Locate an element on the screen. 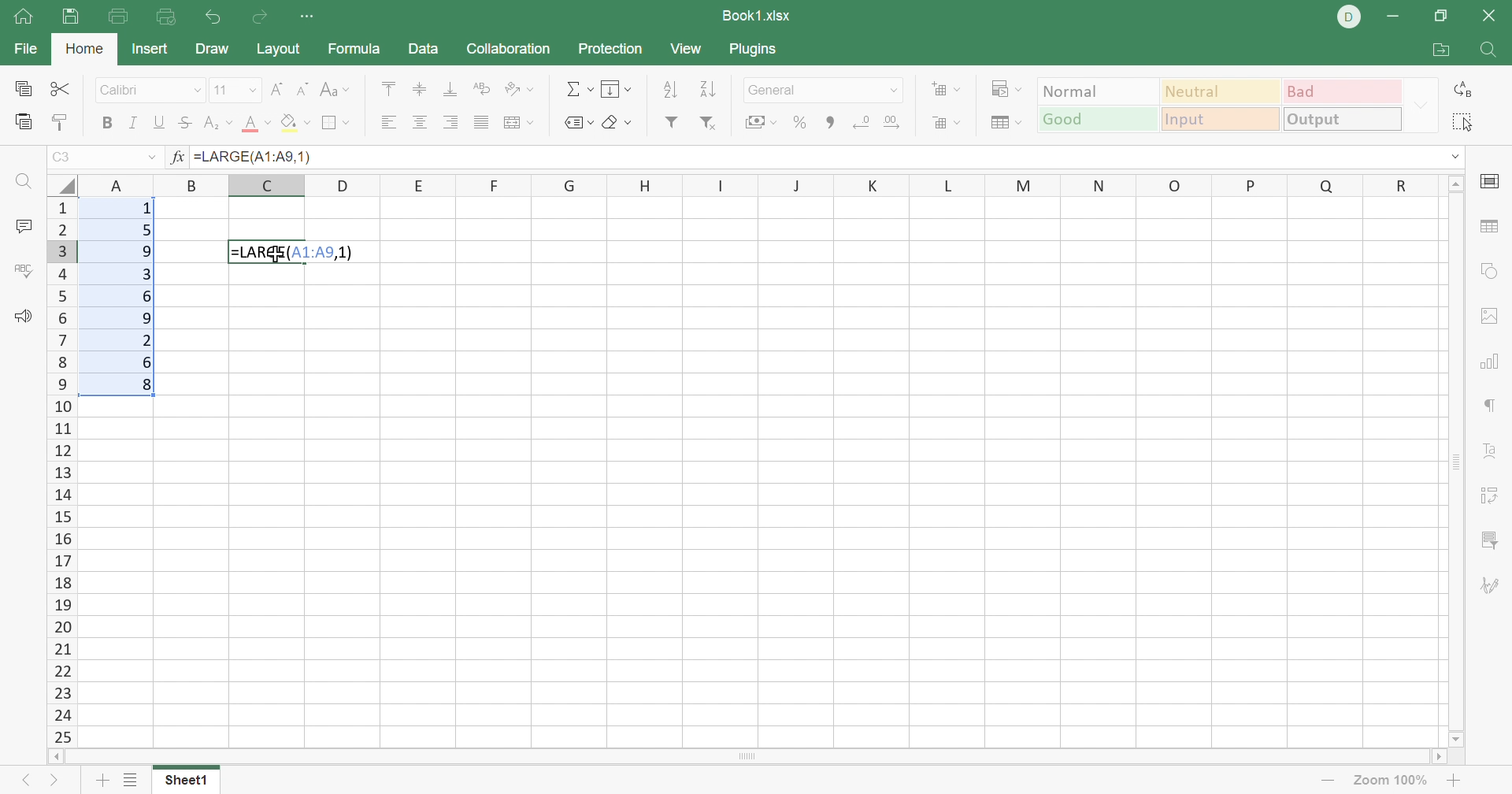 This screenshot has height=794, width=1512. Drop Down is located at coordinates (892, 92).